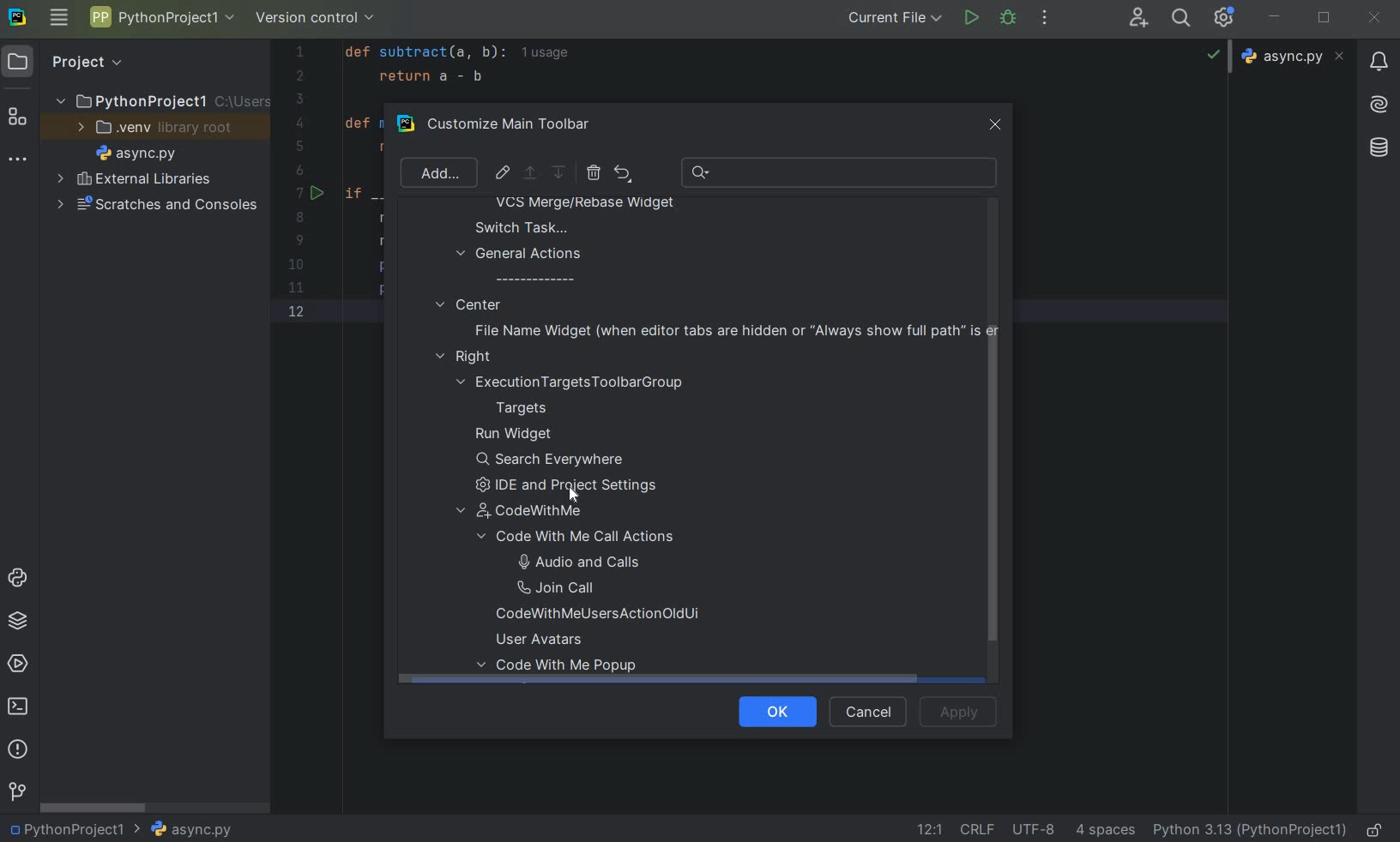 Image resolution: width=1400 pixels, height=842 pixels. I want to click on PROJECT NAME, so click(75, 827).